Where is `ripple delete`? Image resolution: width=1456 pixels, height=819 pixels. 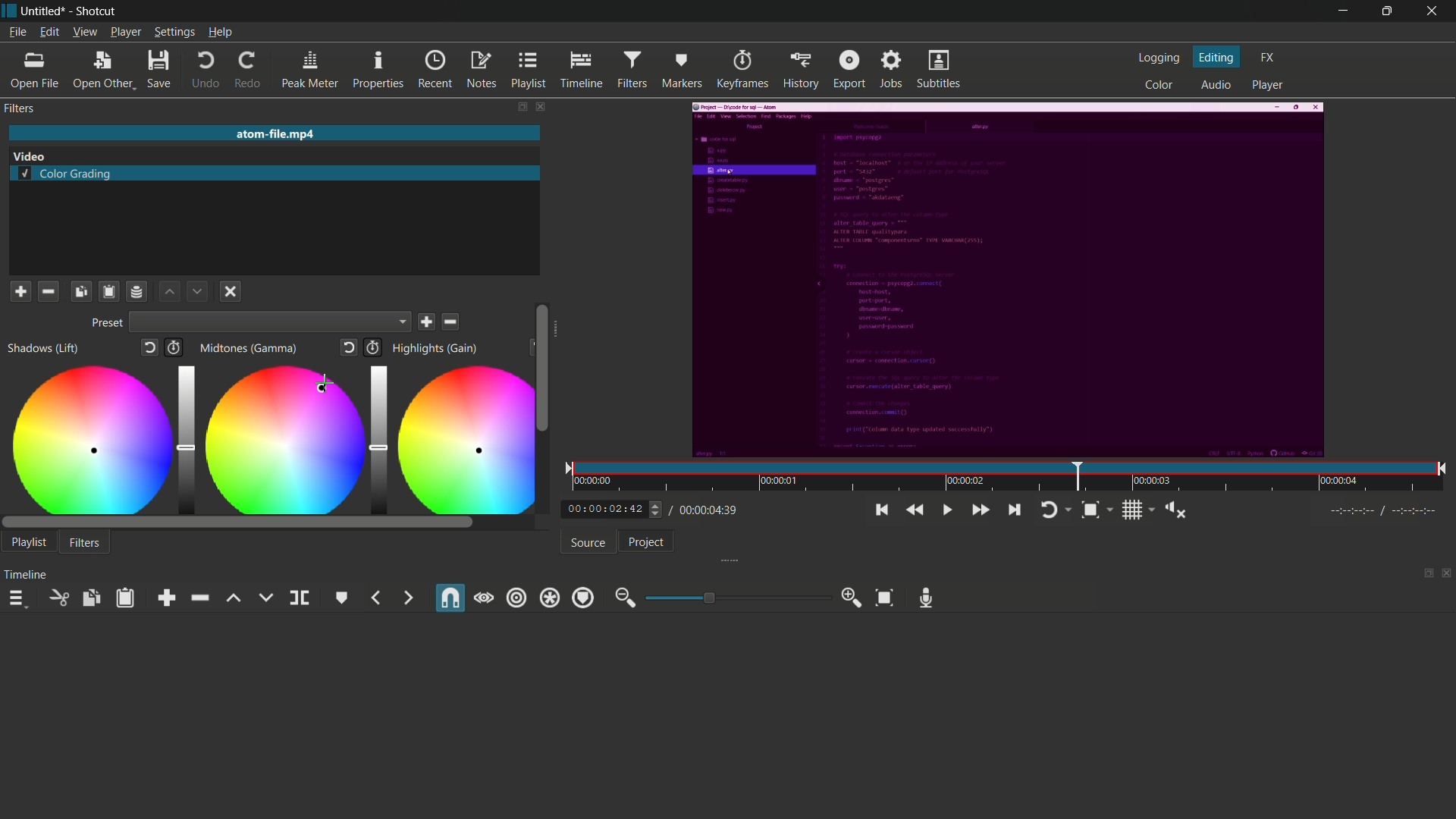
ripple delete is located at coordinates (199, 598).